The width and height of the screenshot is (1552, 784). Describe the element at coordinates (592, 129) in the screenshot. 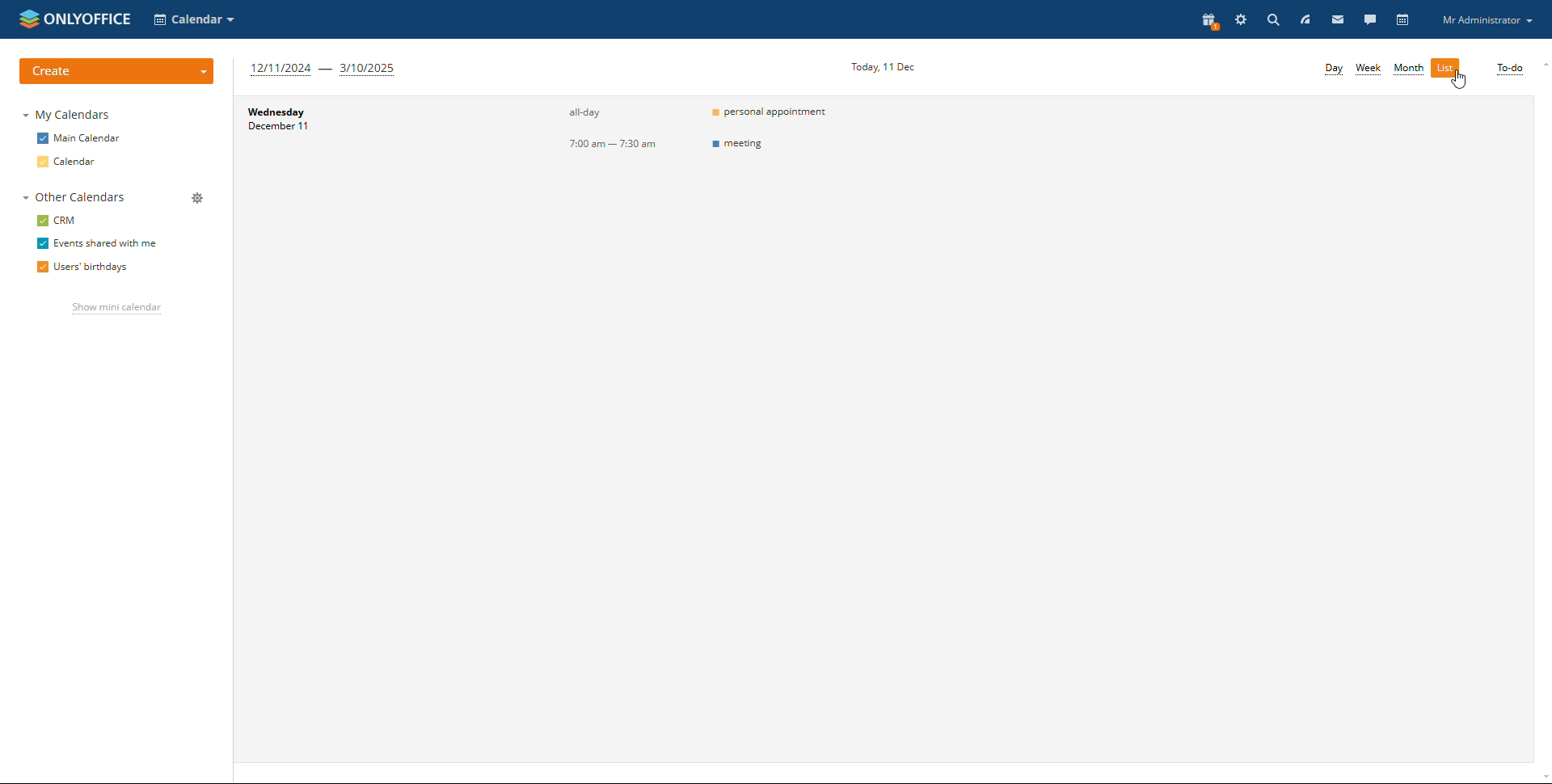

I see `timing of events` at that location.